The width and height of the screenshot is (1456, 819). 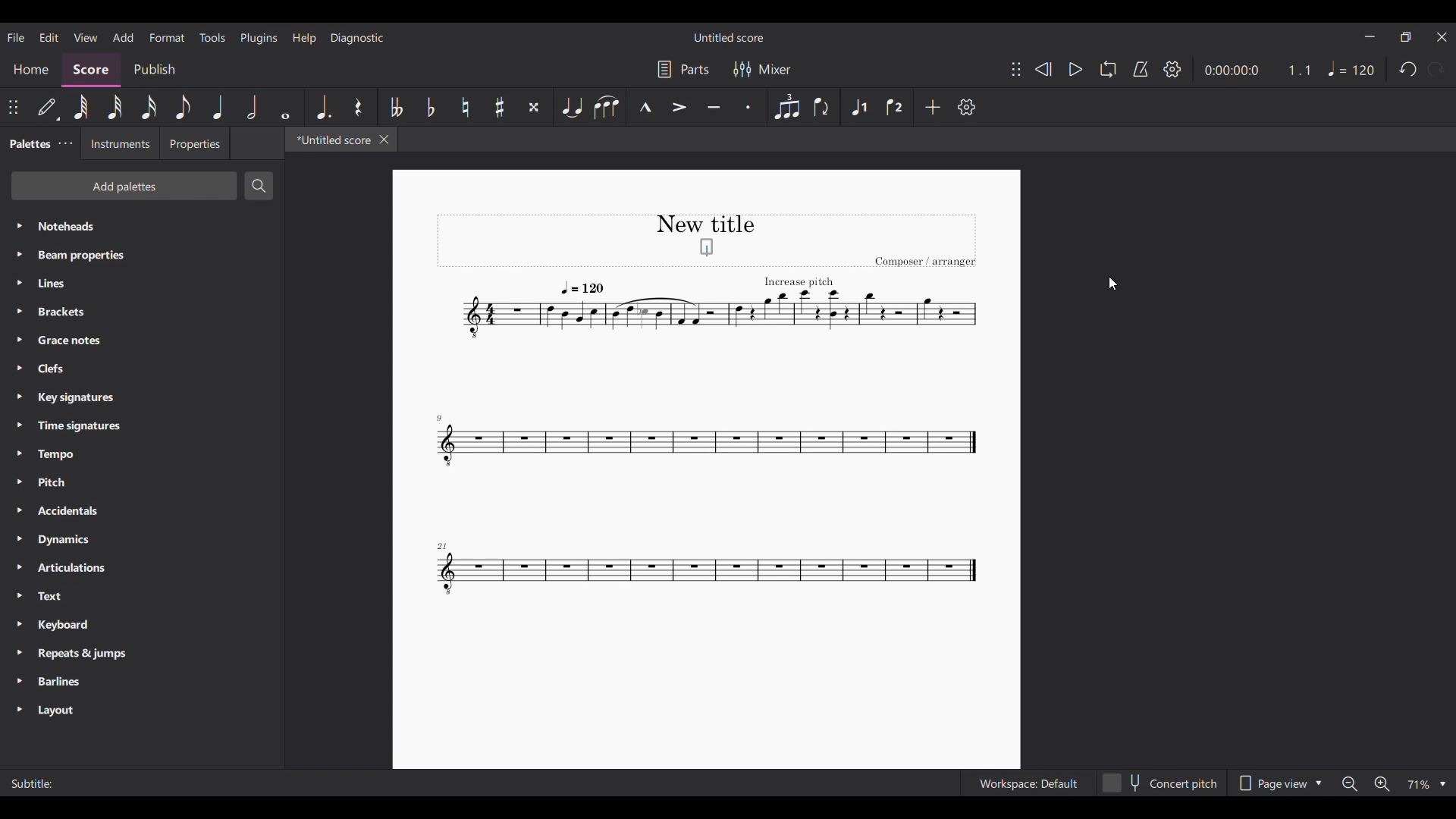 What do you see at coordinates (212, 37) in the screenshot?
I see `Tools menu` at bounding box center [212, 37].